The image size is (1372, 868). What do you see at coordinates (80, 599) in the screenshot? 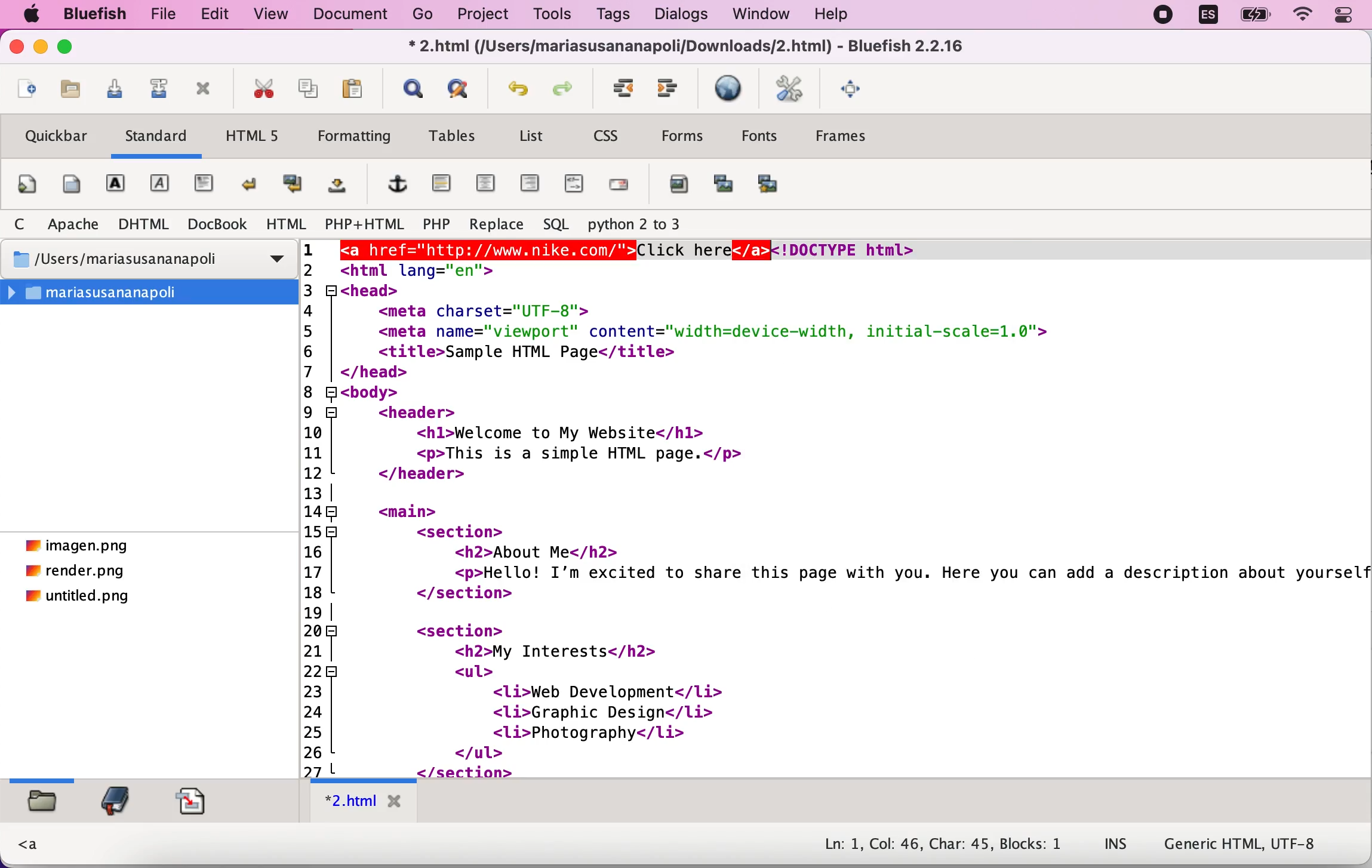
I see `untitled.png` at bounding box center [80, 599].